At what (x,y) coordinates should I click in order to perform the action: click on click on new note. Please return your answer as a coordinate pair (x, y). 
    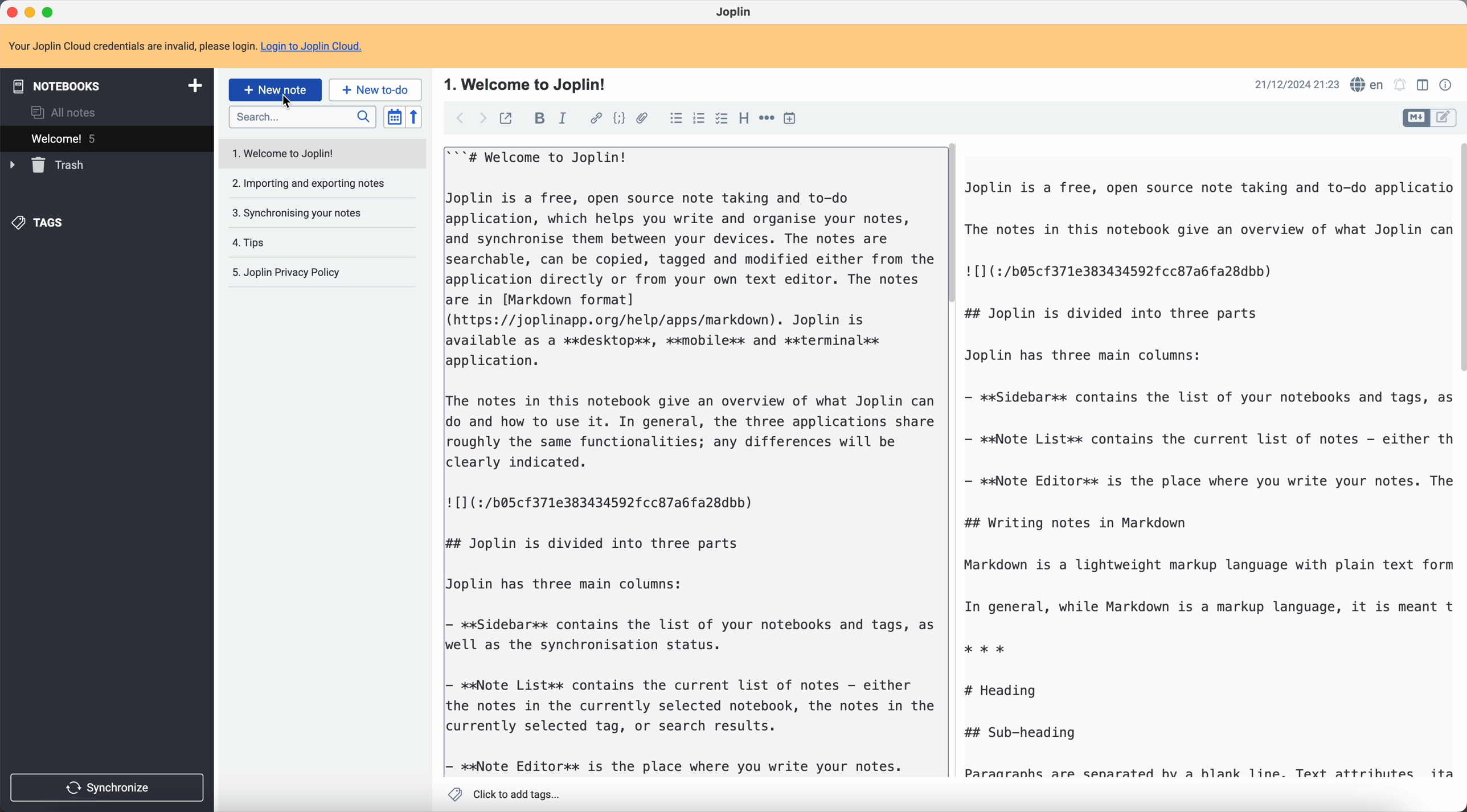
    Looking at the image, I should click on (276, 90).